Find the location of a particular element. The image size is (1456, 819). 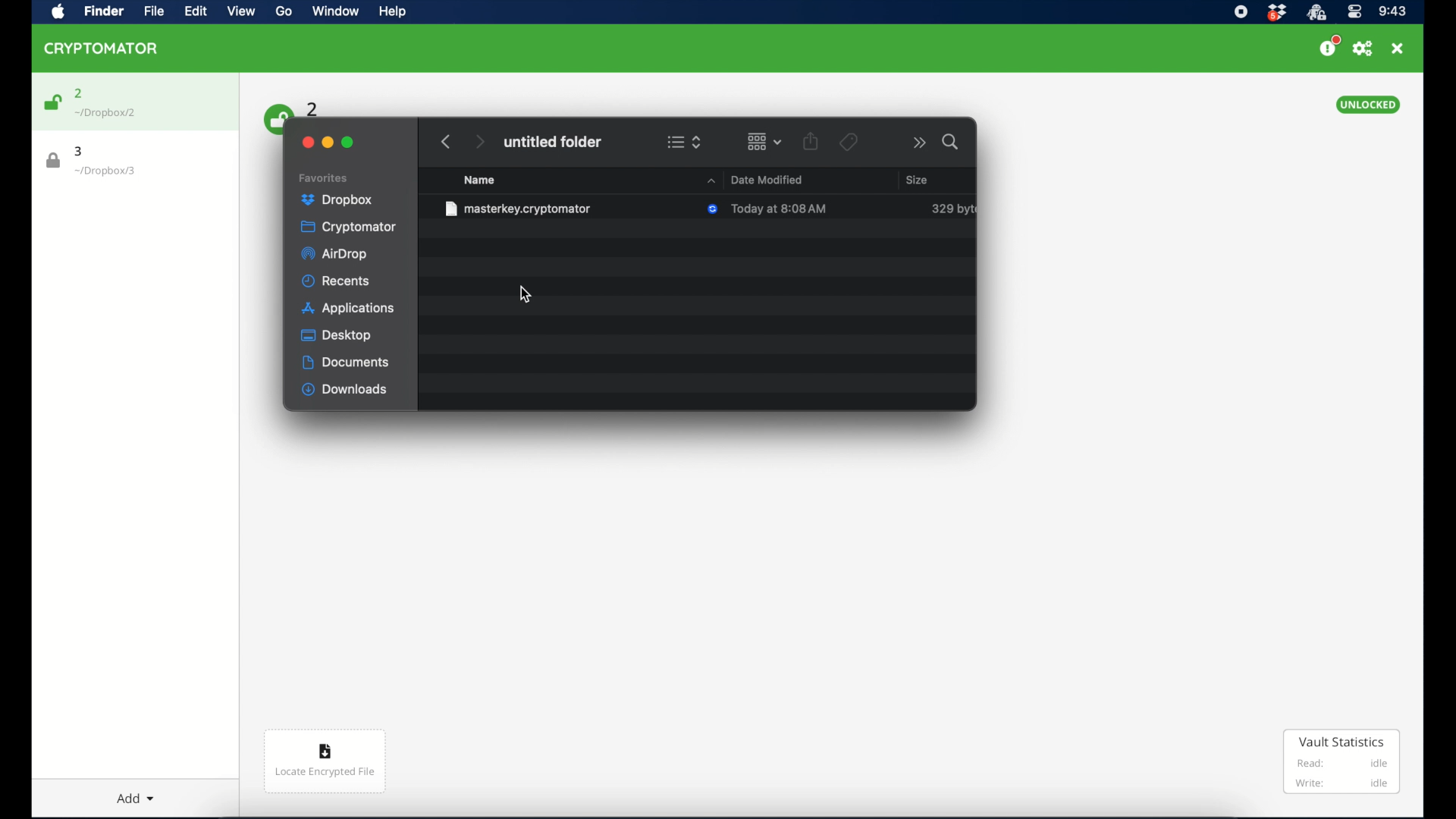

minimize is located at coordinates (328, 143).